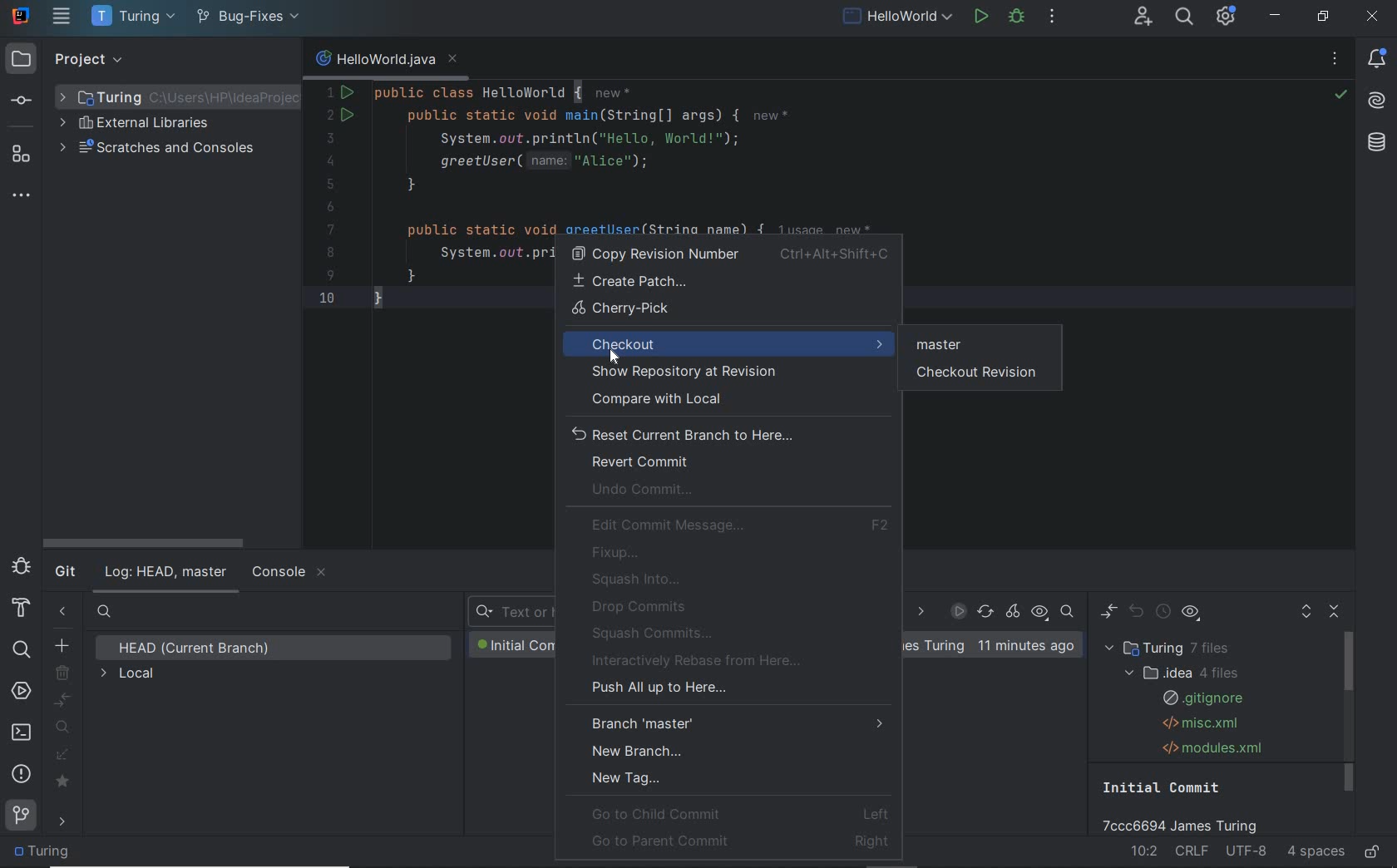  I want to click on recent files, tab options, so click(1336, 61).